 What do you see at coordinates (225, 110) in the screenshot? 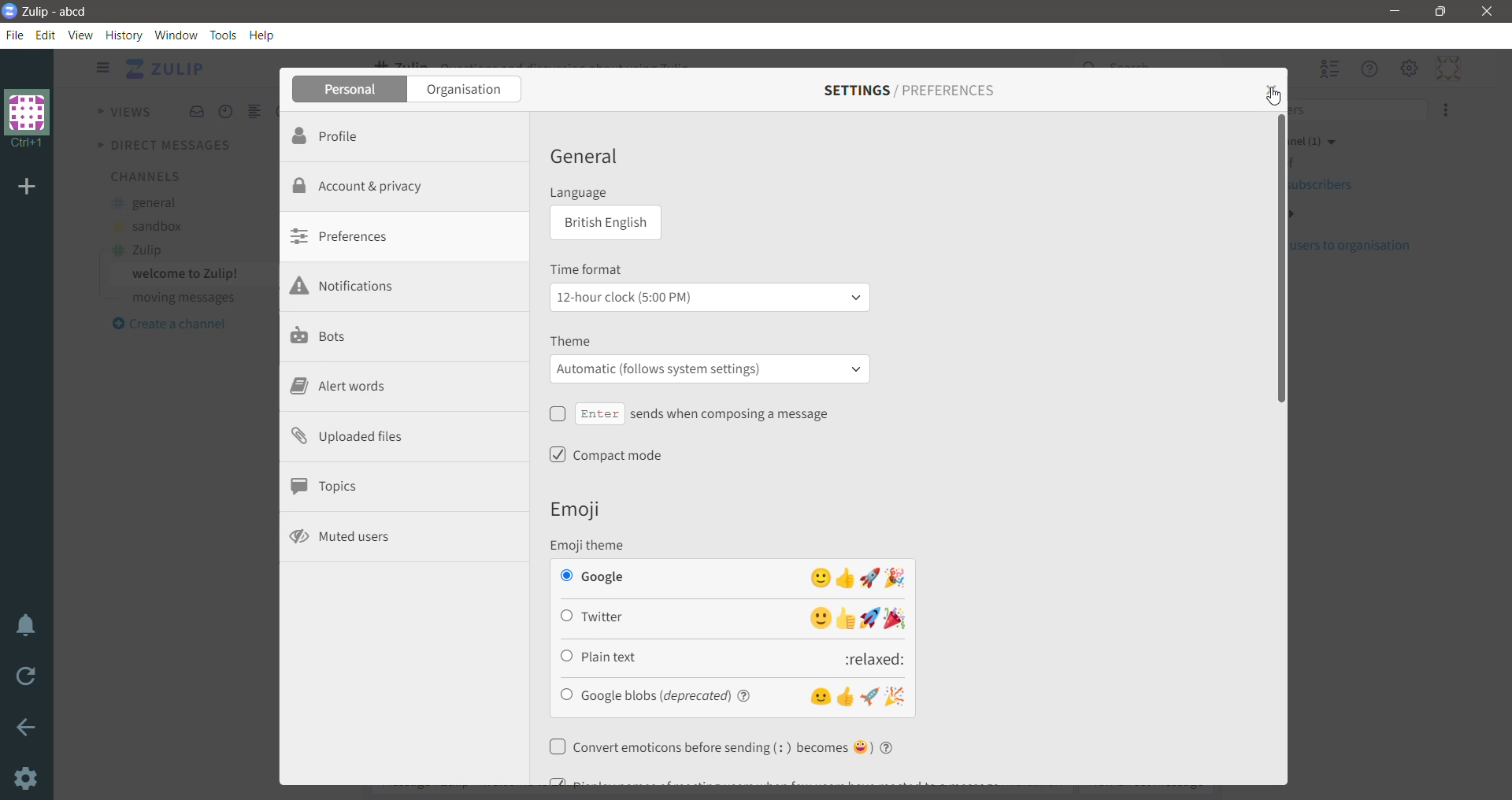
I see `Recent Conversations` at bounding box center [225, 110].